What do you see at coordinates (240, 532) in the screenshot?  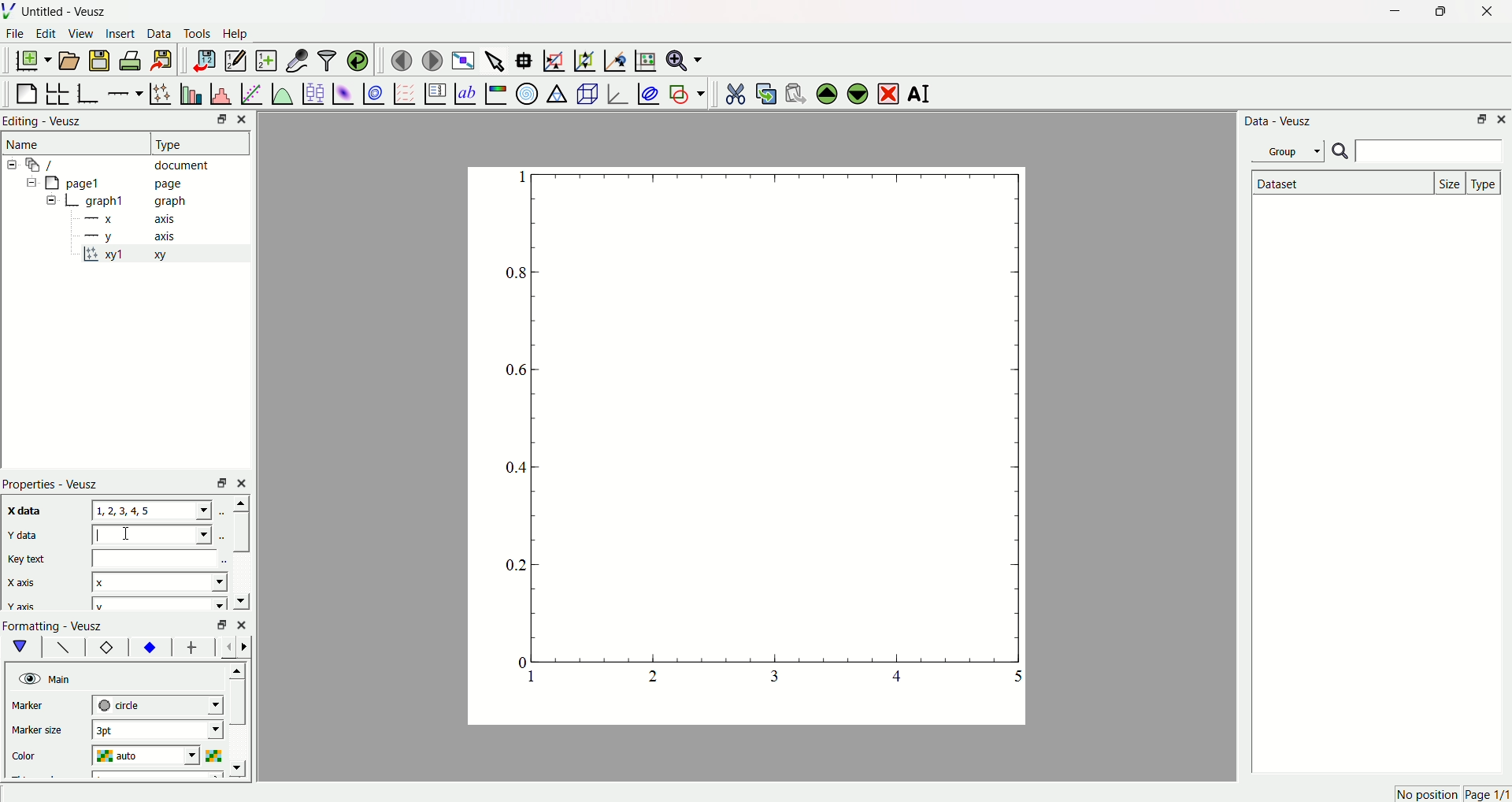 I see `scroll bar` at bounding box center [240, 532].